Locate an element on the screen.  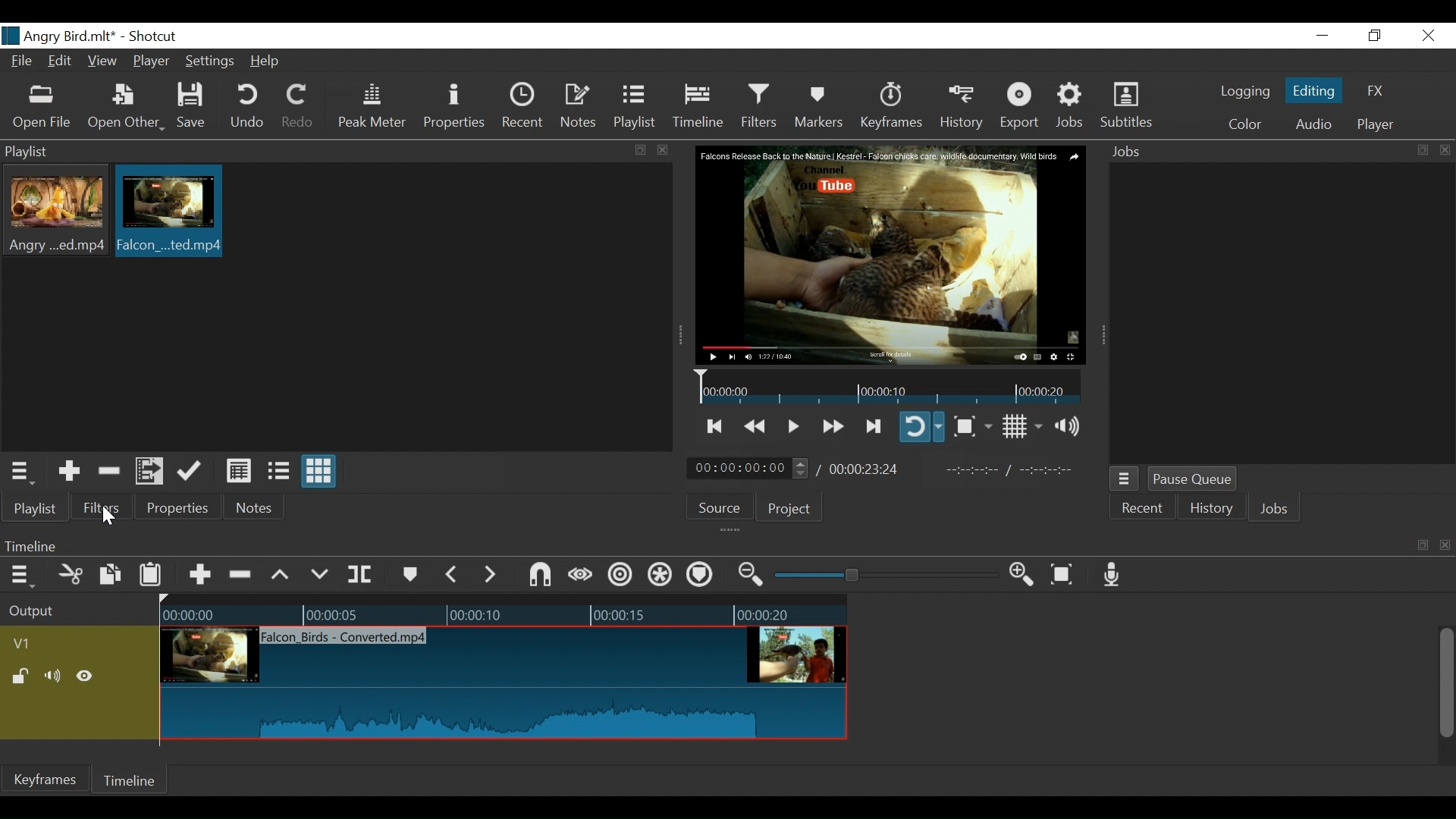
Help is located at coordinates (270, 61).